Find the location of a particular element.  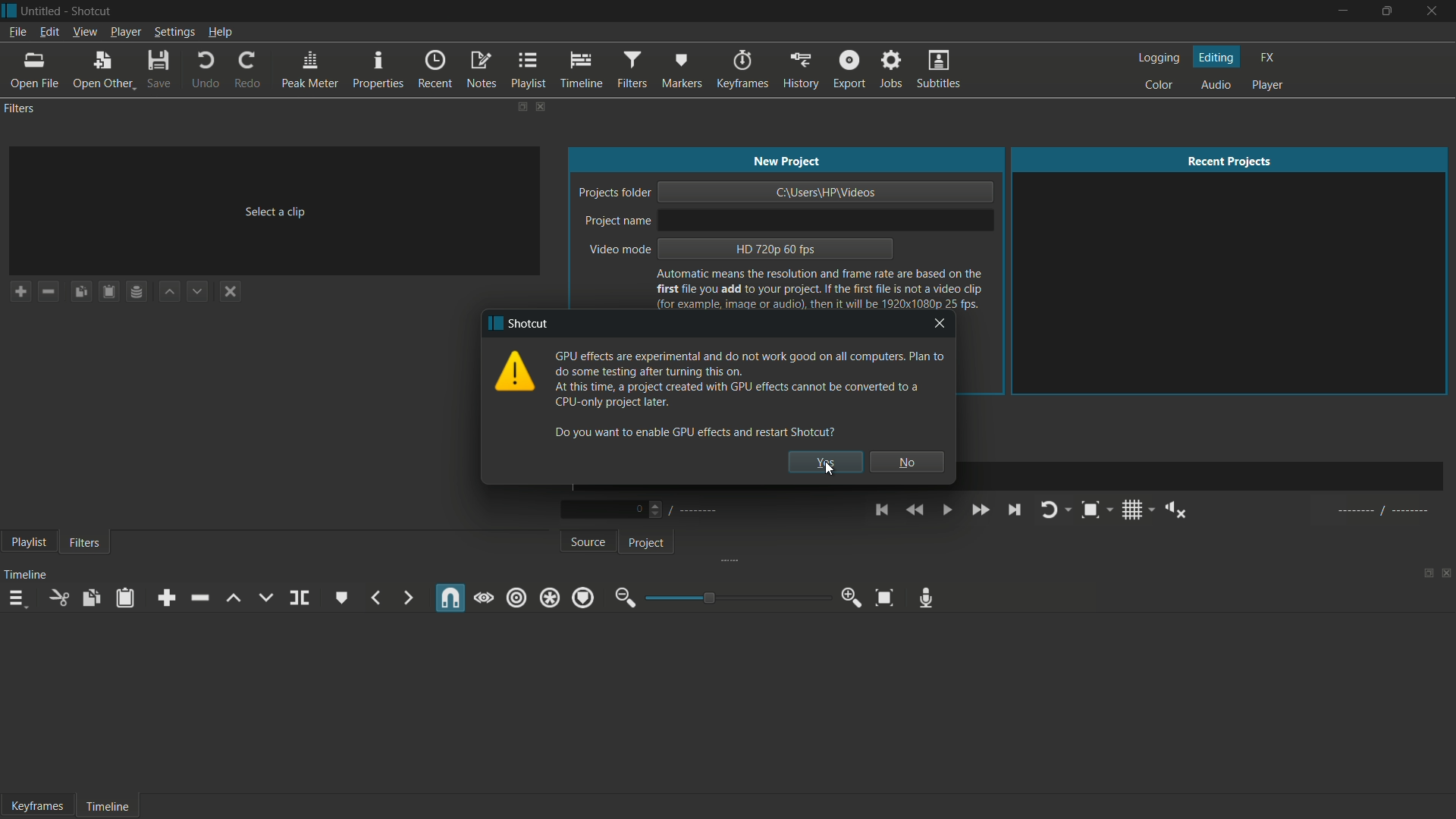

copy checked filters is located at coordinates (81, 292).